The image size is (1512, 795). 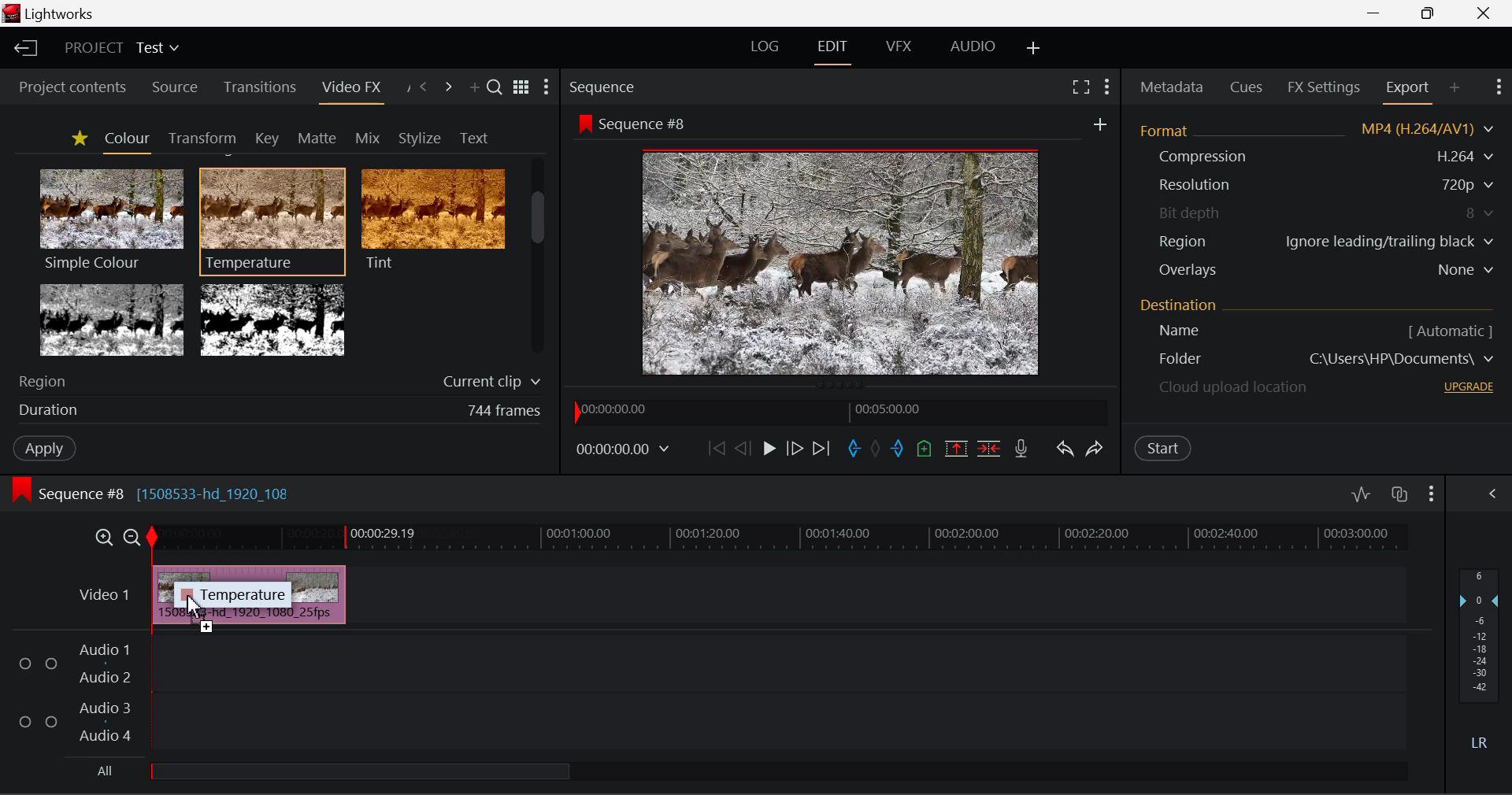 What do you see at coordinates (649, 125) in the screenshot?
I see `Sequence #8` at bounding box center [649, 125].